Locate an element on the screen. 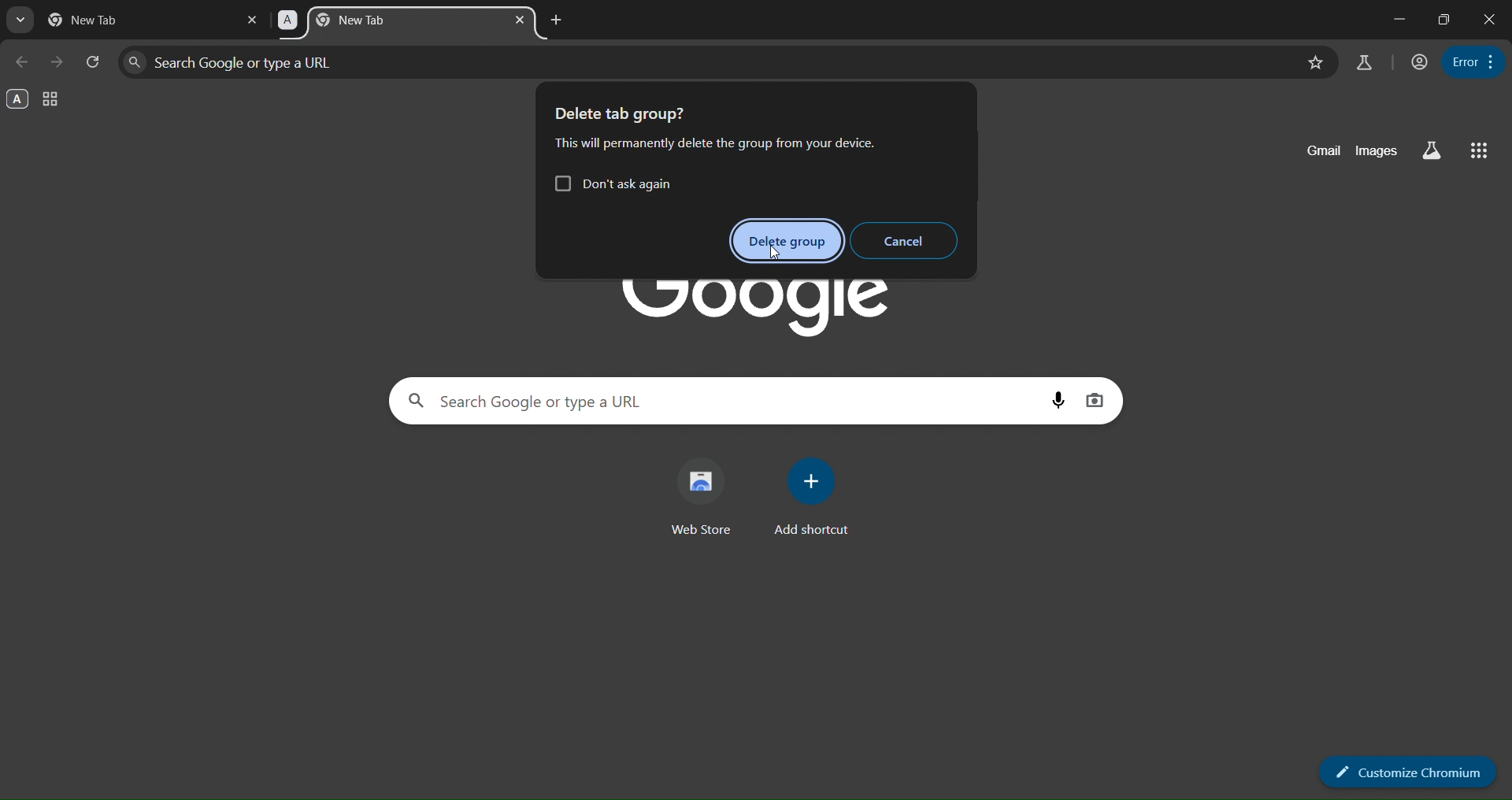  menu is located at coordinates (1474, 61).